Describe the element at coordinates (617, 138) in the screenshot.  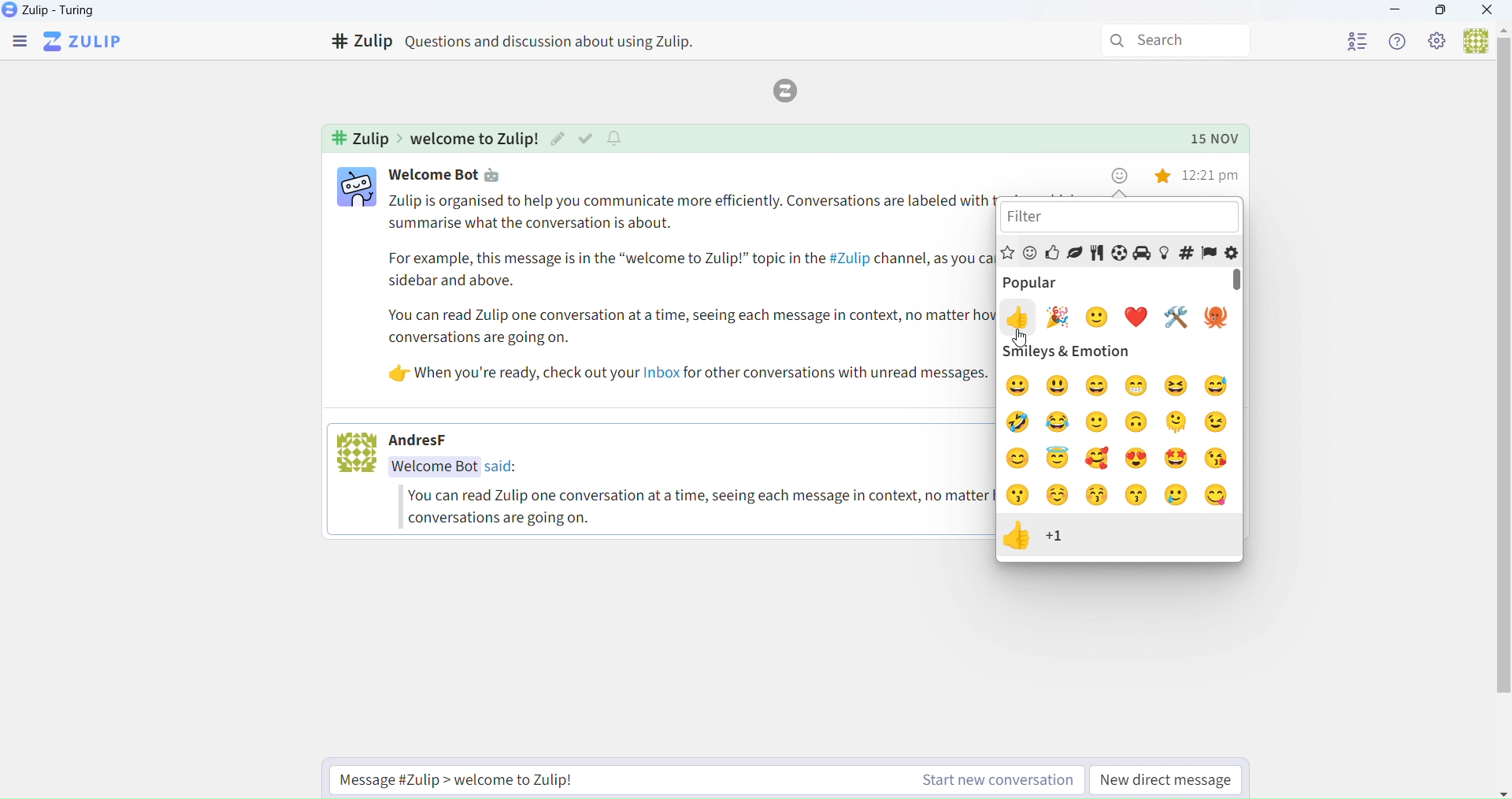
I see `notify` at that location.